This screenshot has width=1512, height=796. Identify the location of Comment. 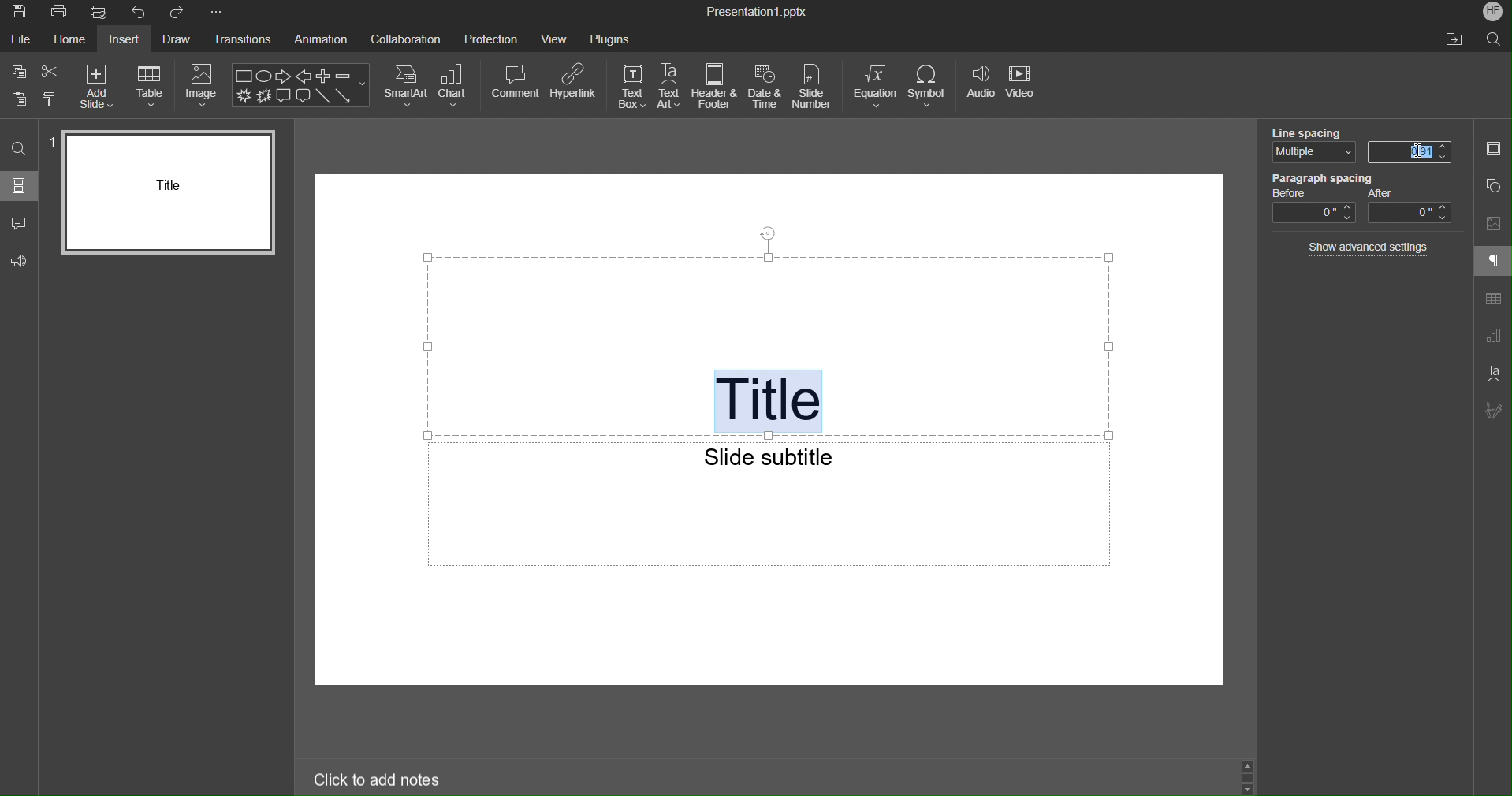
(515, 84).